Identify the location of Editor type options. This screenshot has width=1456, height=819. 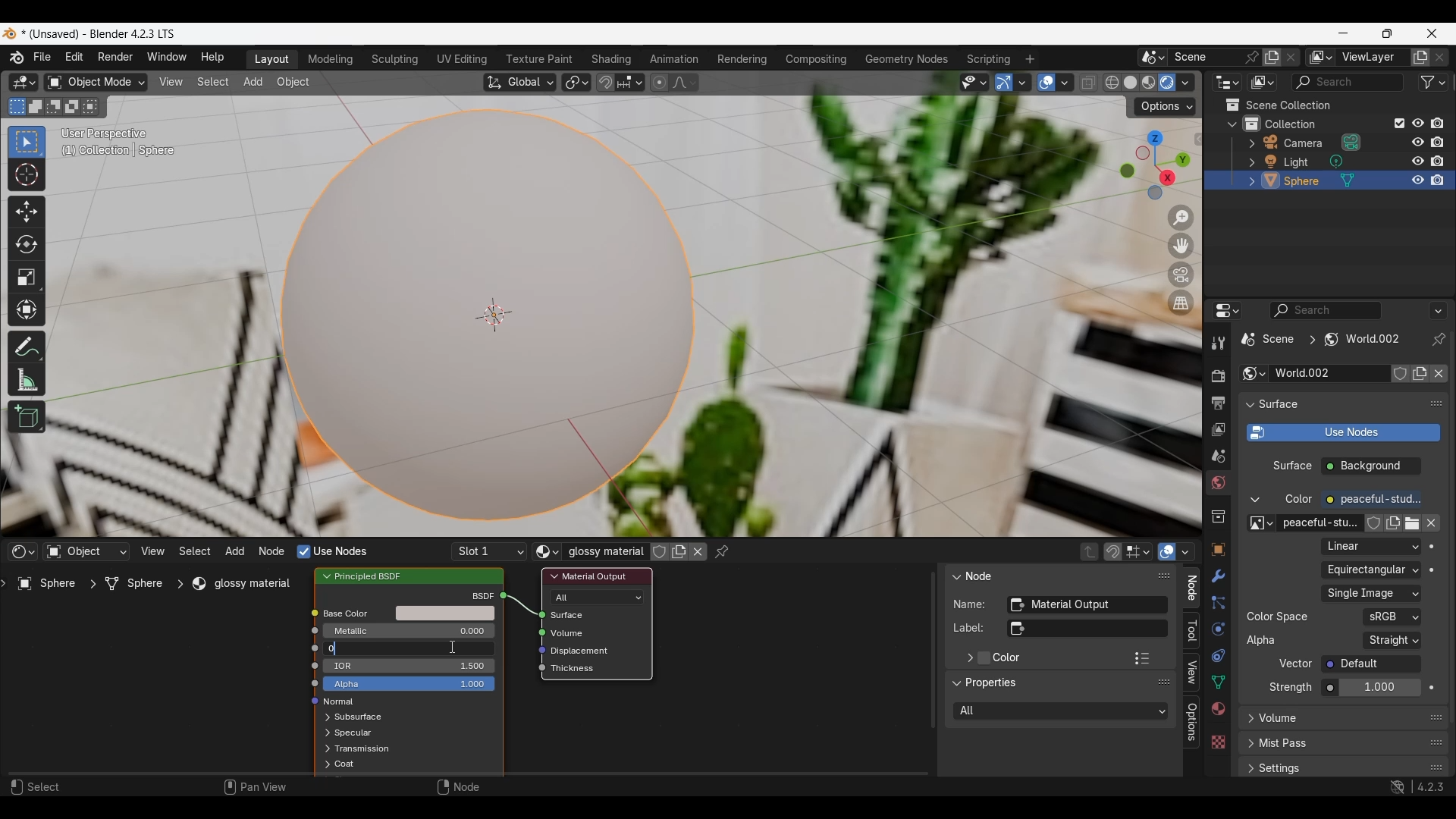
(1227, 310).